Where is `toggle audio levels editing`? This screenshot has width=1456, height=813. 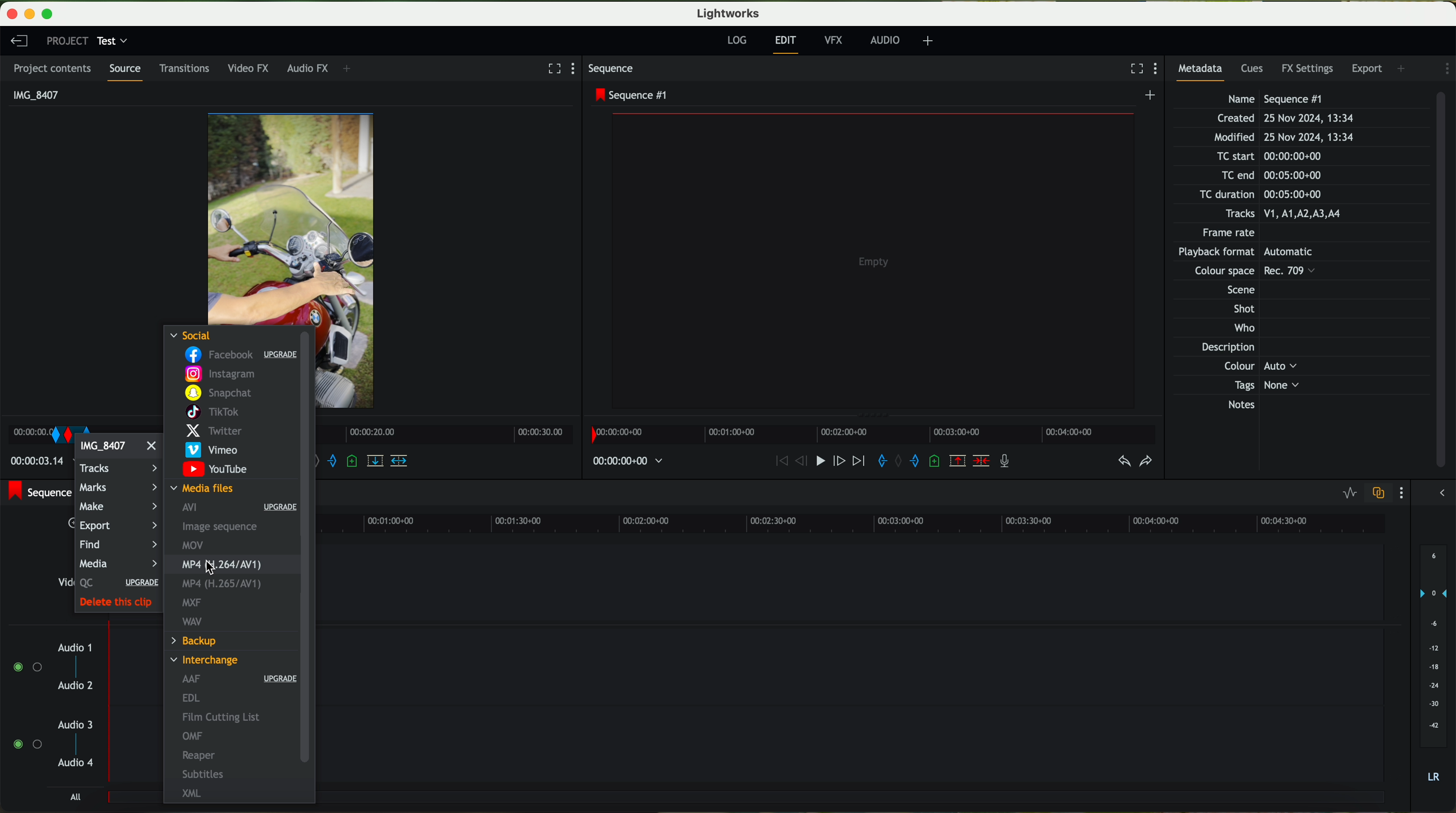 toggle audio levels editing is located at coordinates (1350, 494).